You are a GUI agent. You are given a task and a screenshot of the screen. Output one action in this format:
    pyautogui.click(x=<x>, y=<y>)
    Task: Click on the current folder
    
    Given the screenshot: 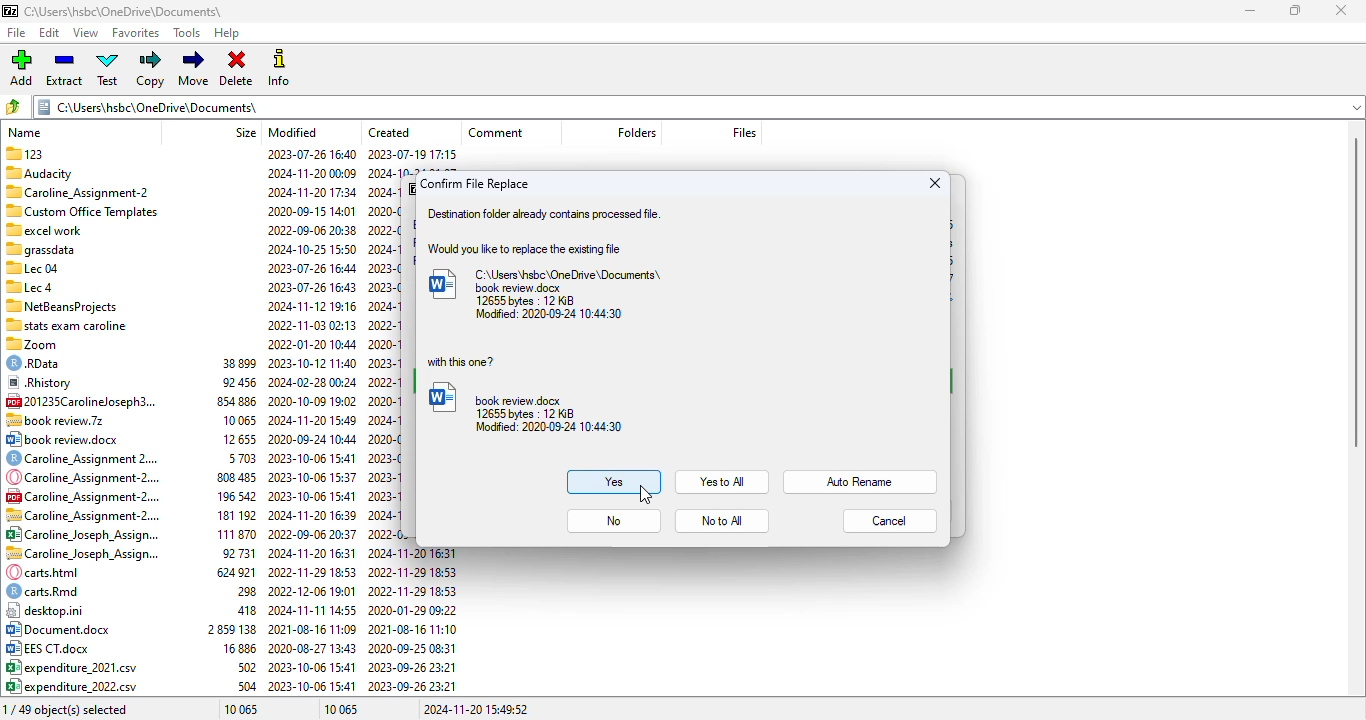 What is the action you would take?
    pyautogui.click(x=698, y=106)
    